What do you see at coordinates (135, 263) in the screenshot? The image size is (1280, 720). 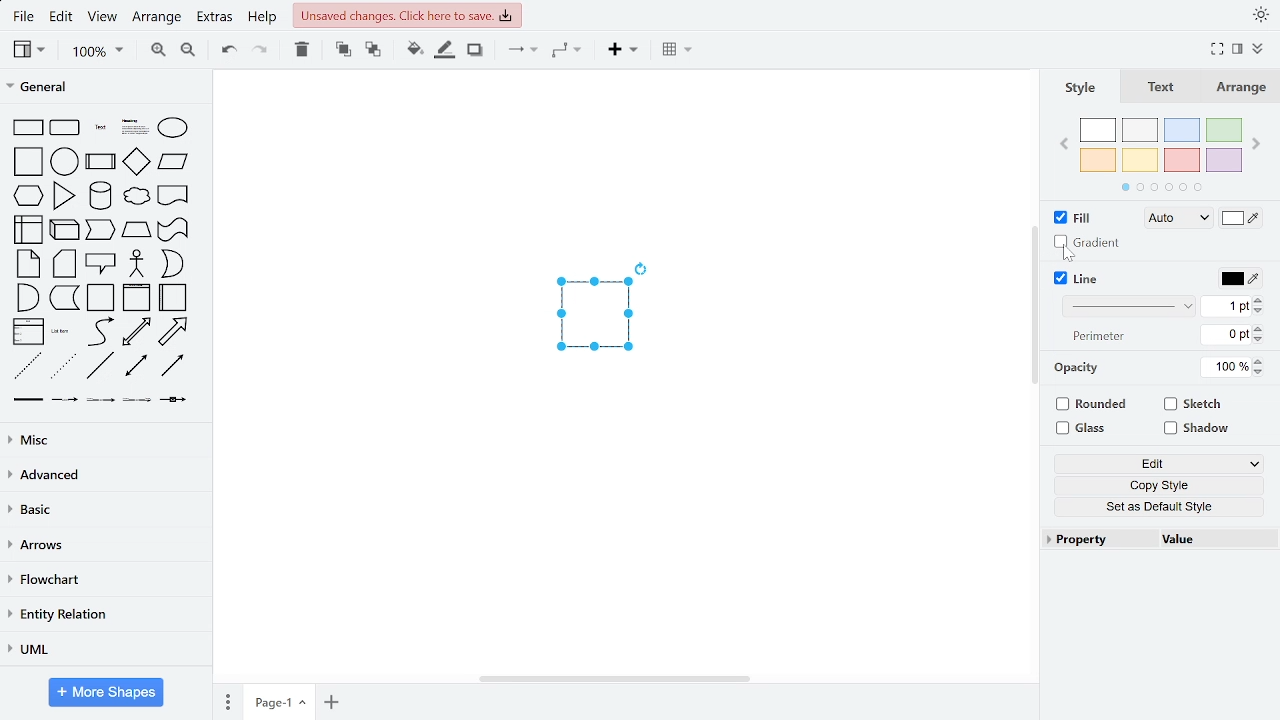 I see `general shapes` at bounding box center [135, 263].